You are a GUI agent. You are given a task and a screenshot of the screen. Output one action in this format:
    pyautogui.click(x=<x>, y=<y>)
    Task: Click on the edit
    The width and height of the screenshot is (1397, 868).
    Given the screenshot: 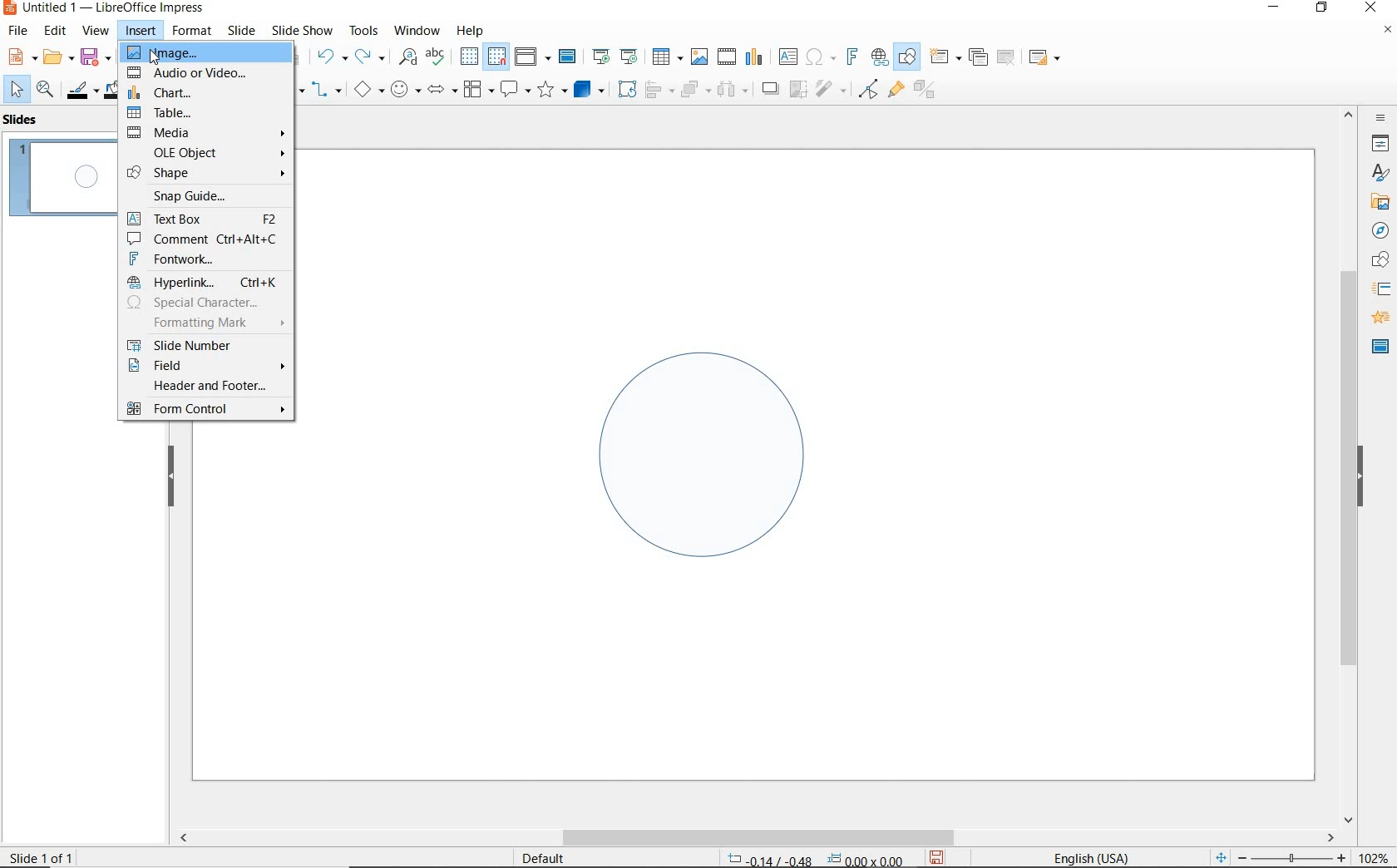 What is the action you would take?
    pyautogui.click(x=56, y=31)
    